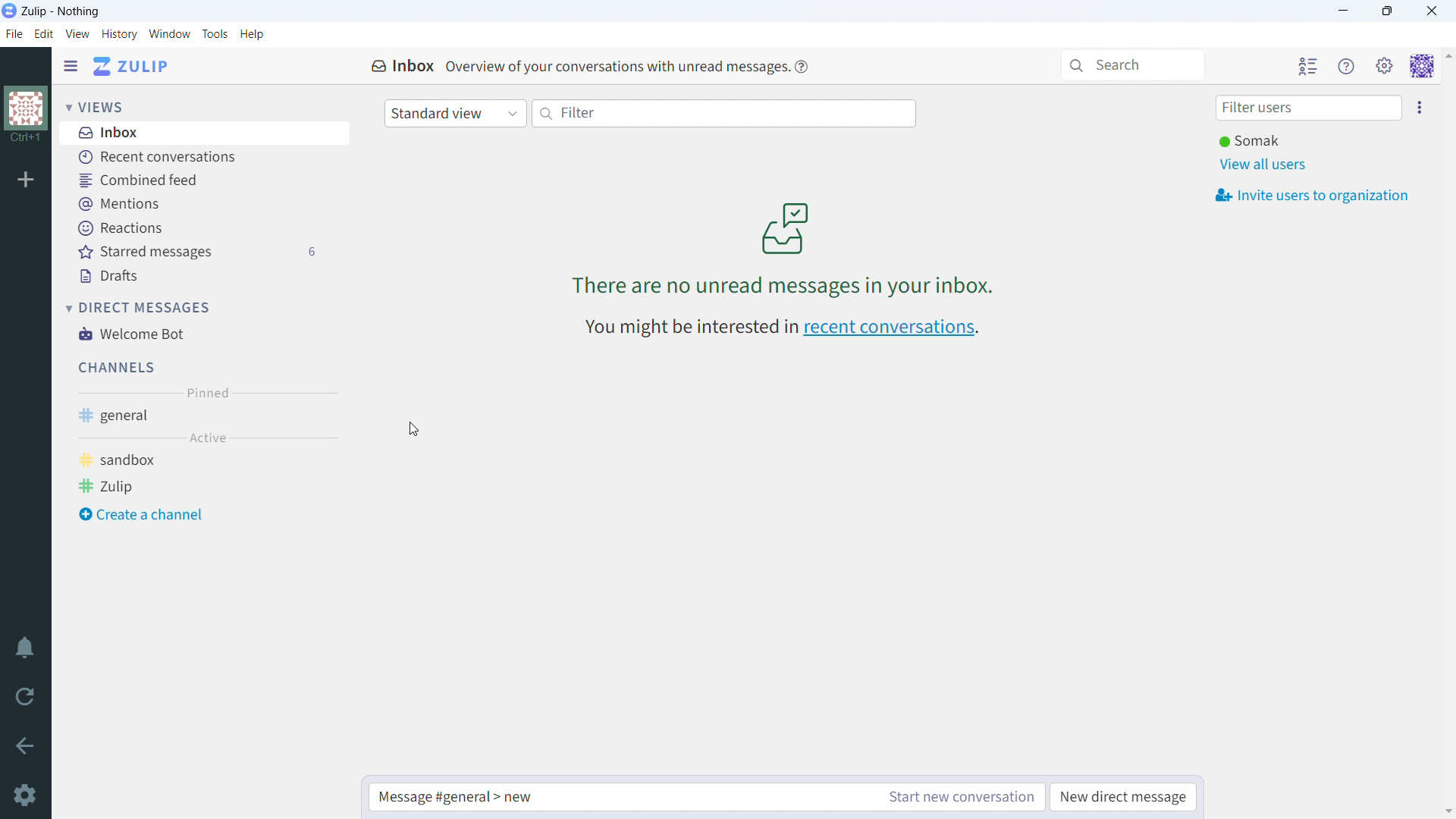 The image size is (1456, 819). I want to click on type message, so click(617, 797).